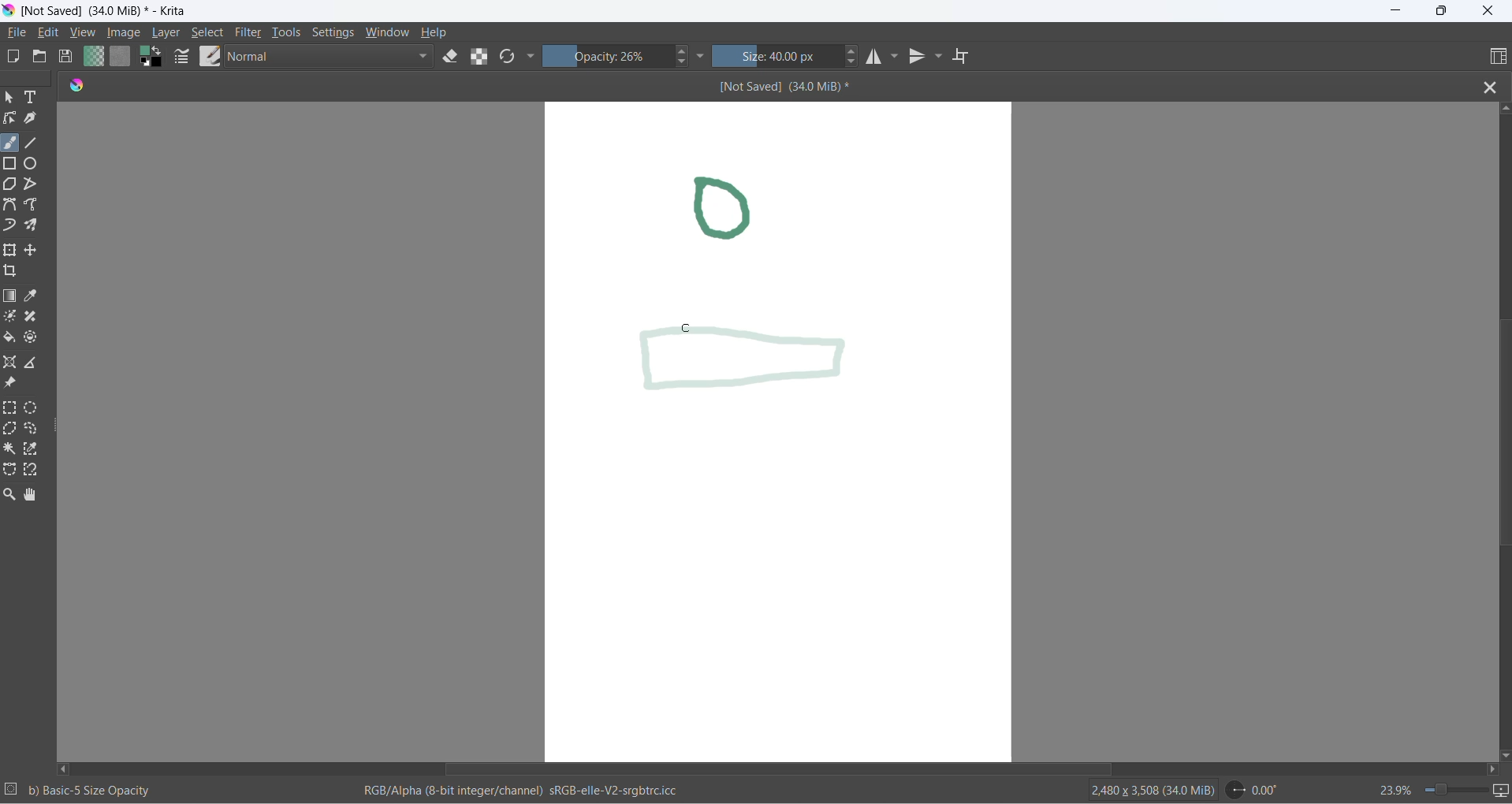 This screenshot has width=1512, height=804. I want to click on vertical mirror tools settings dropdown button, so click(940, 58).